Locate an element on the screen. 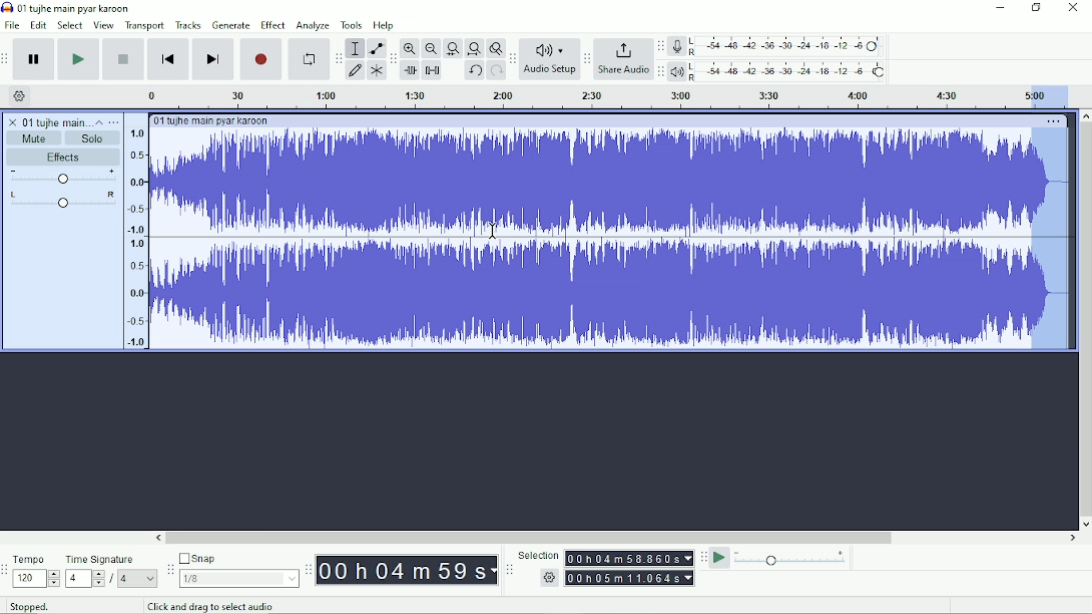  Zoom Out is located at coordinates (431, 48).